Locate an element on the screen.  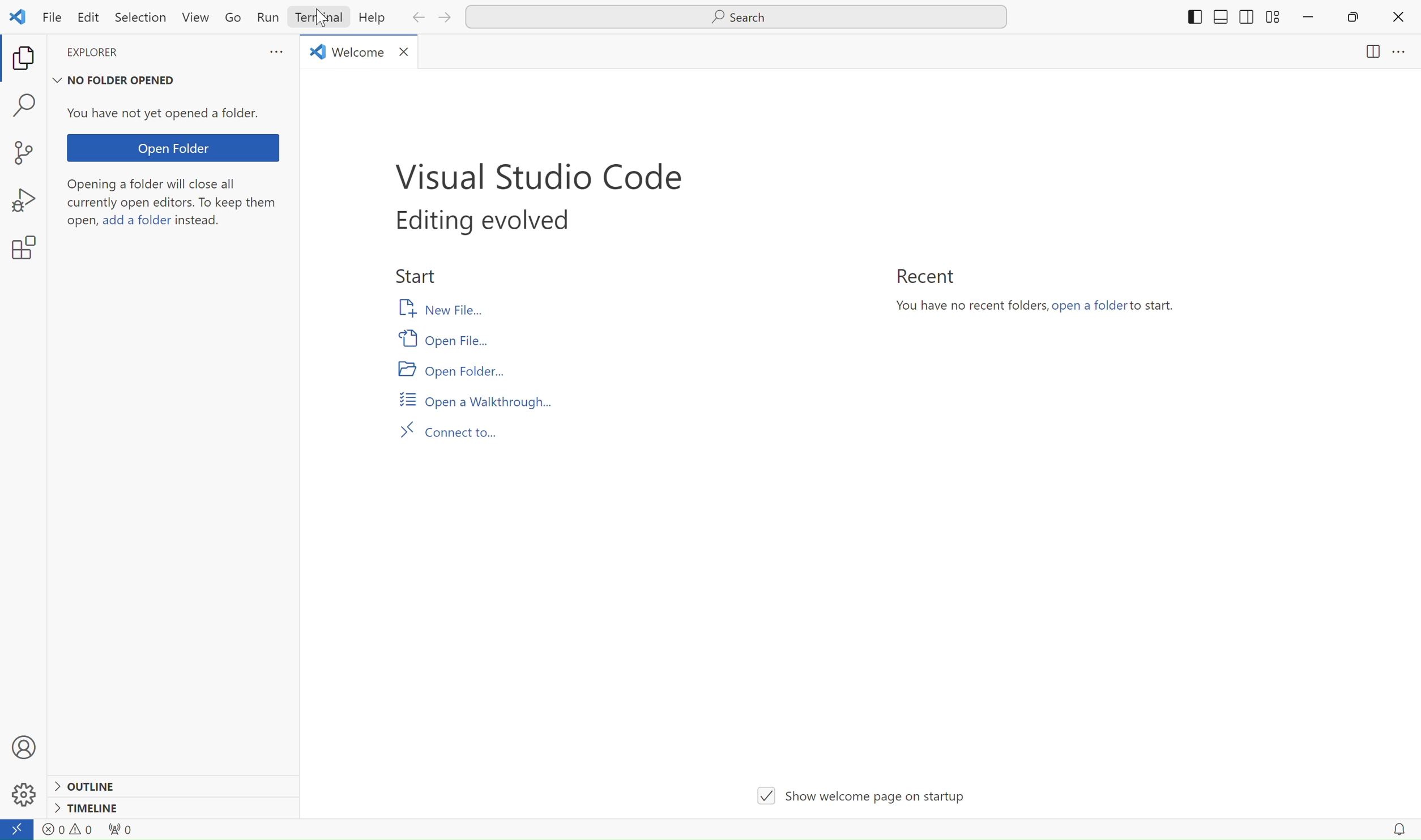
restore down is located at coordinates (1347, 23).